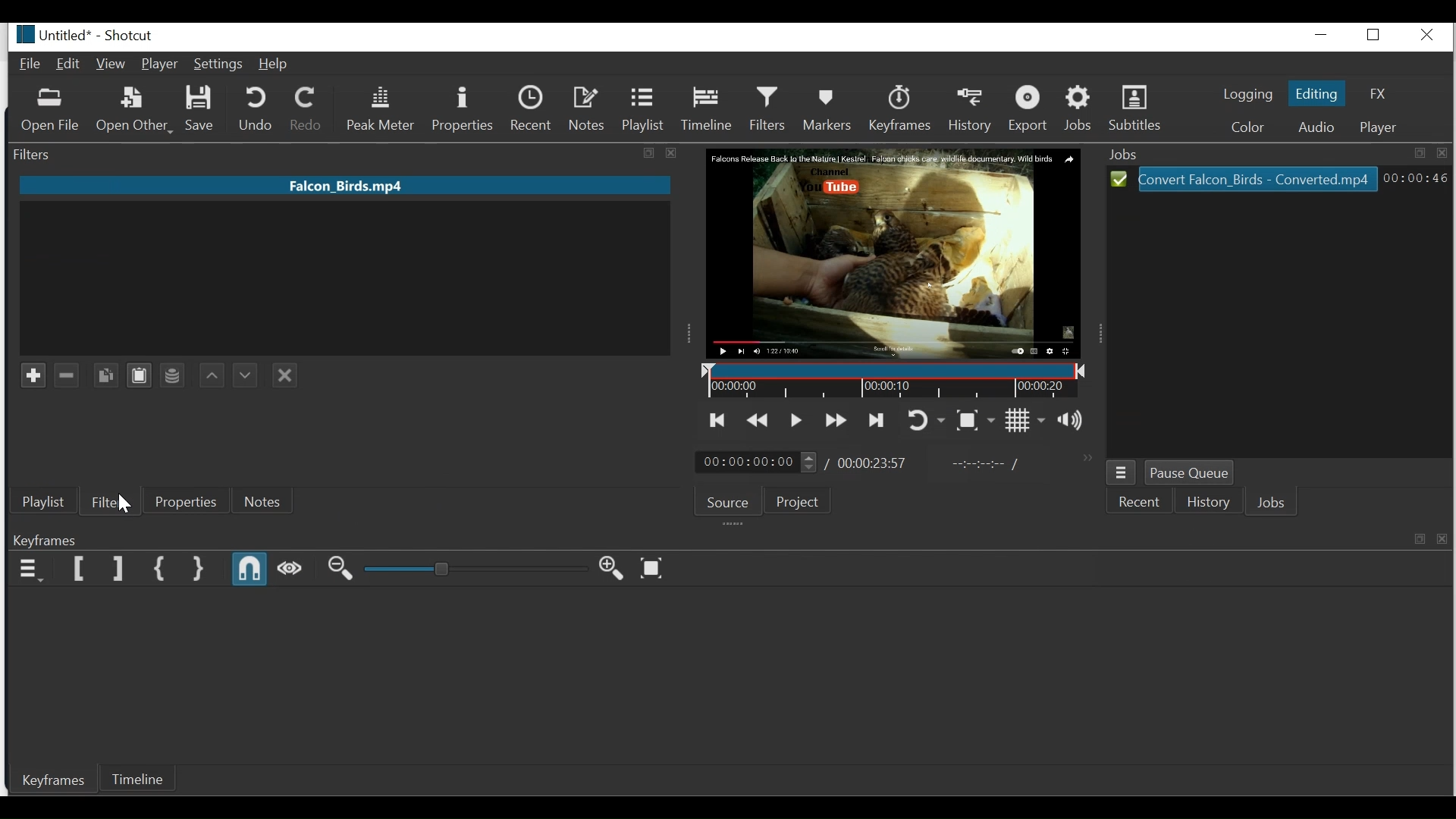 This screenshot has width=1456, height=819. What do you see at coordinates (866, 464) in the screenshot?
I see `/00:00:23:57(Total Duration)` at bounding box center [866, 464].